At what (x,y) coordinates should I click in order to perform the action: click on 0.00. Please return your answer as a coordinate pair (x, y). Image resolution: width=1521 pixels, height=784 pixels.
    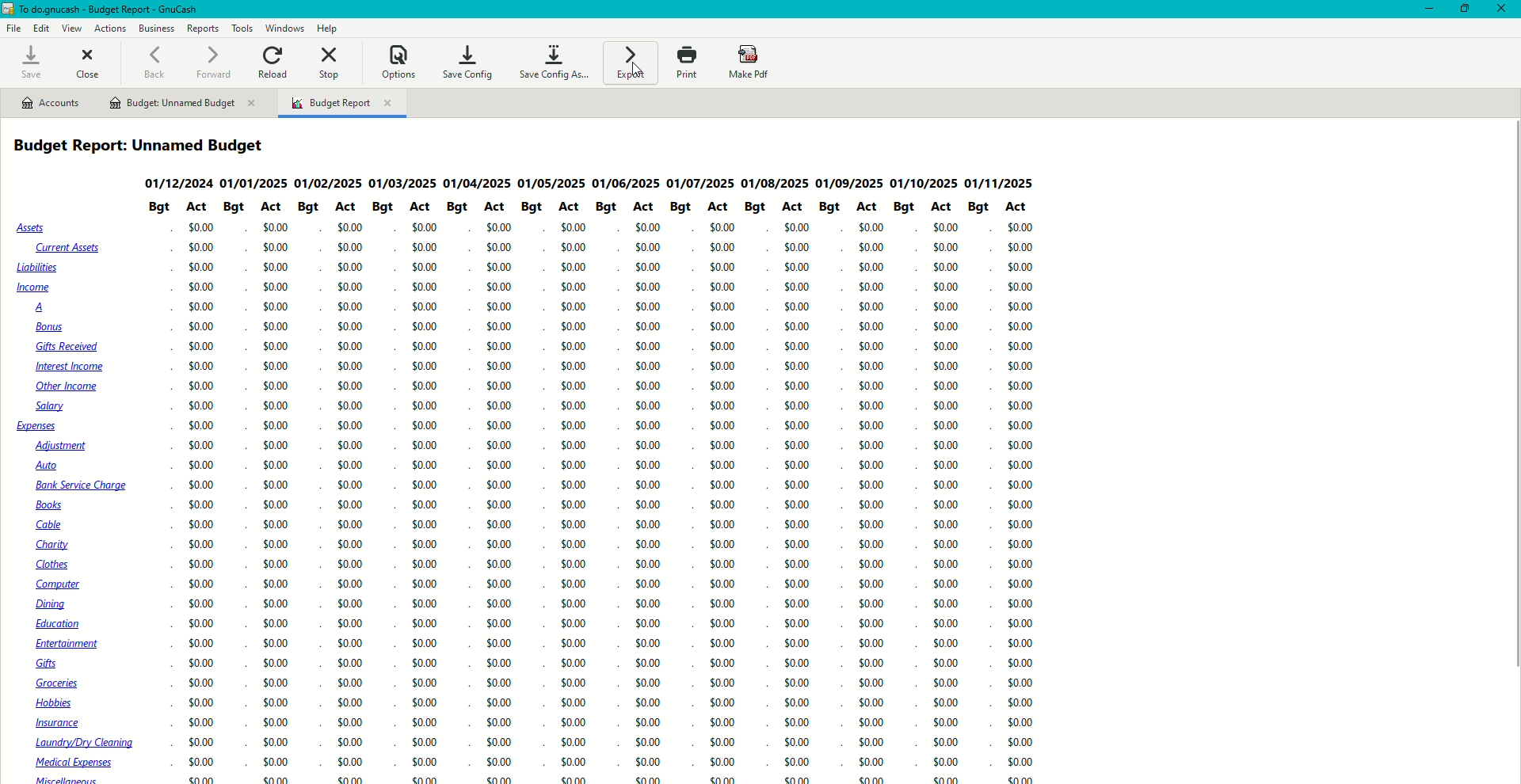
    Looking at the image, I should click on (278, 367).